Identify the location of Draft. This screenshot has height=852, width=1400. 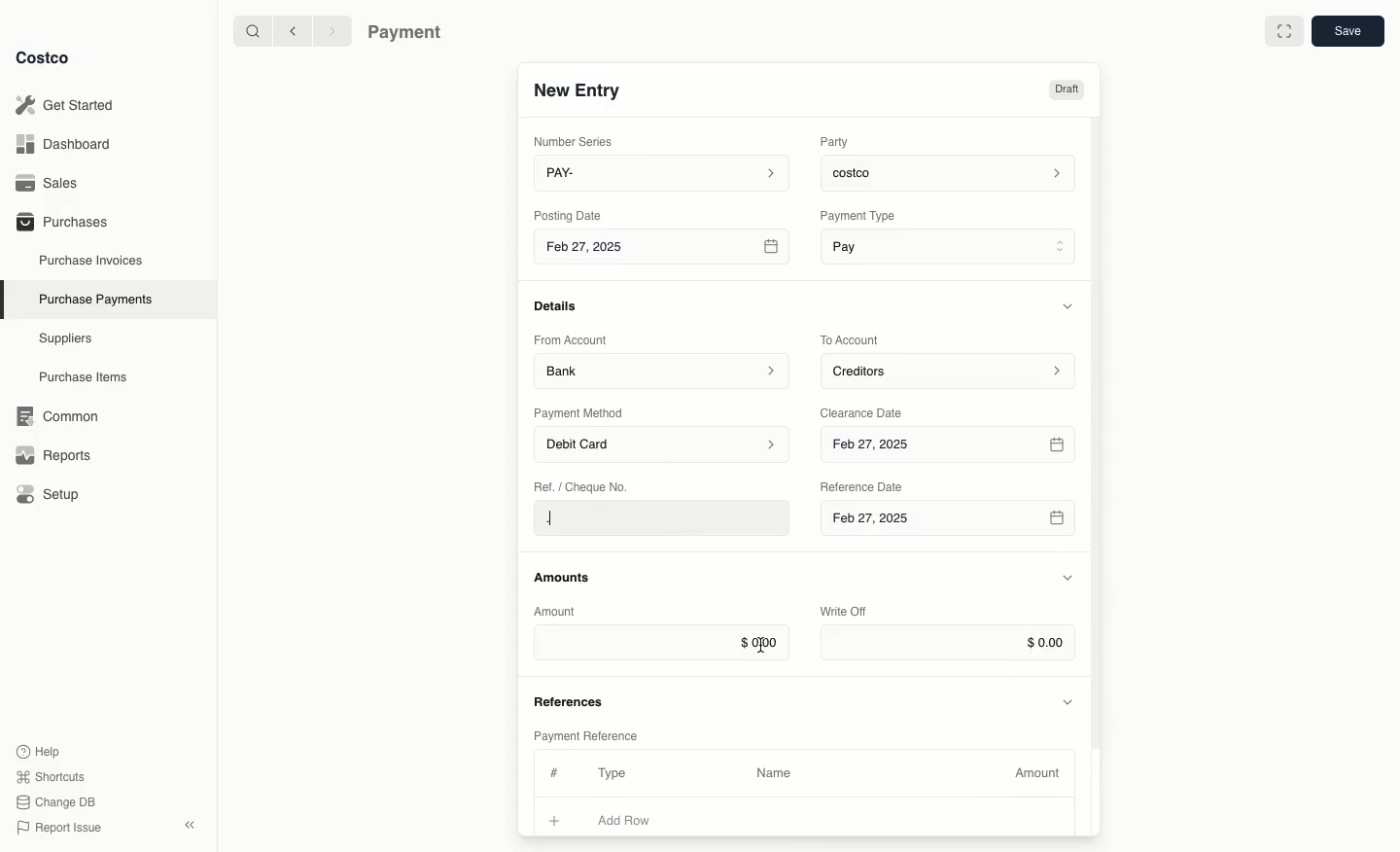
(1066, 89).